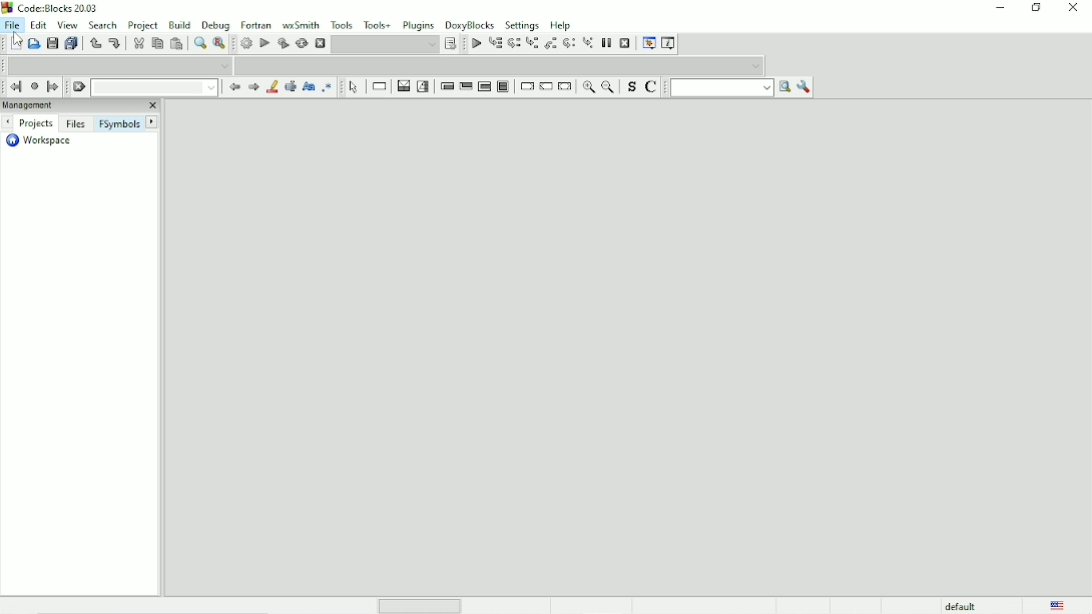 The height and width of the screenshot is (614, 1092). What do you see at coordinates (563, 24) in the screenshot?
I see `Help` at bounding box center [563, 24].